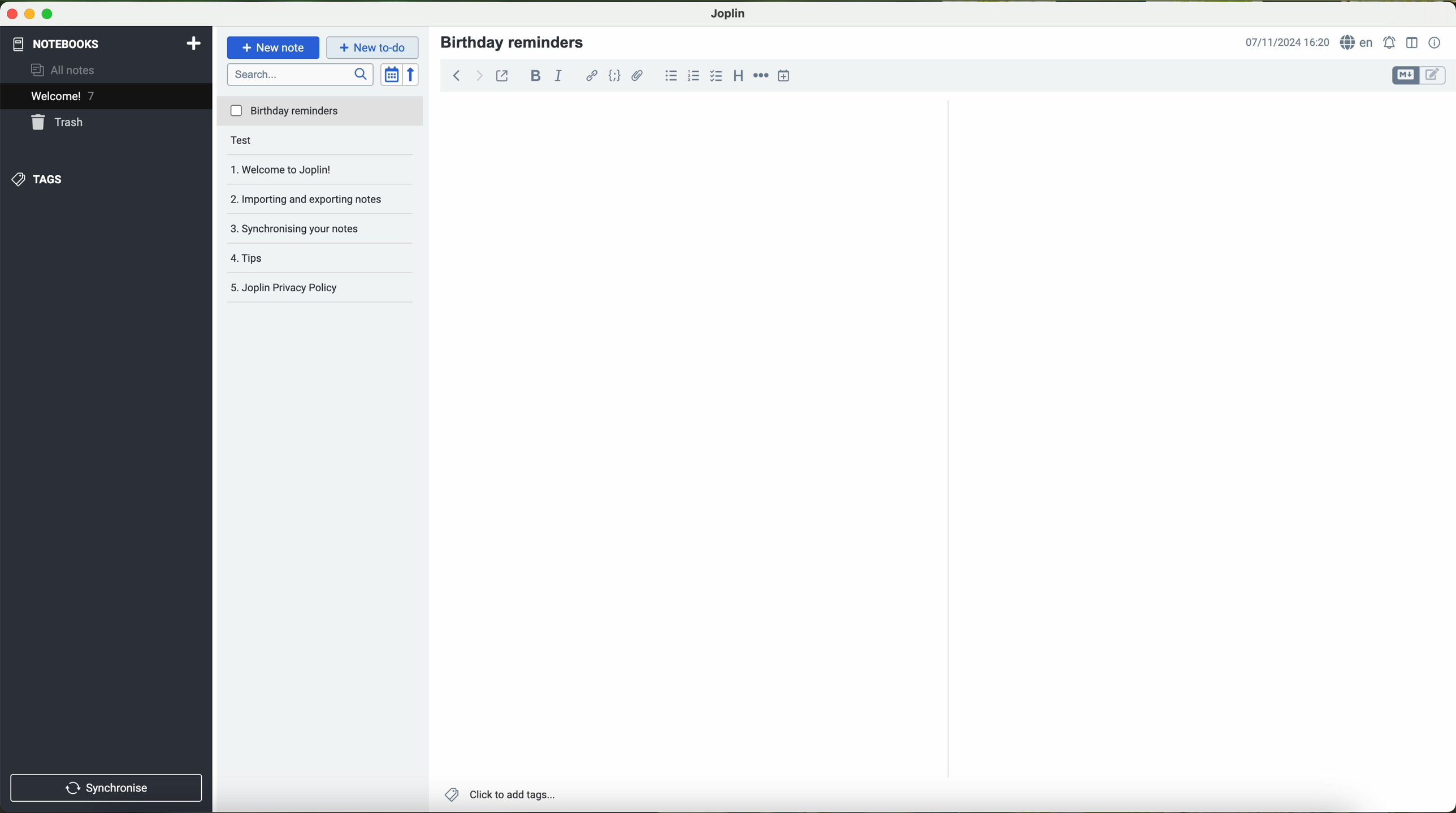 This screenshot has height=813, width=1456. I want to click on screen buttons, so click(33, 13).